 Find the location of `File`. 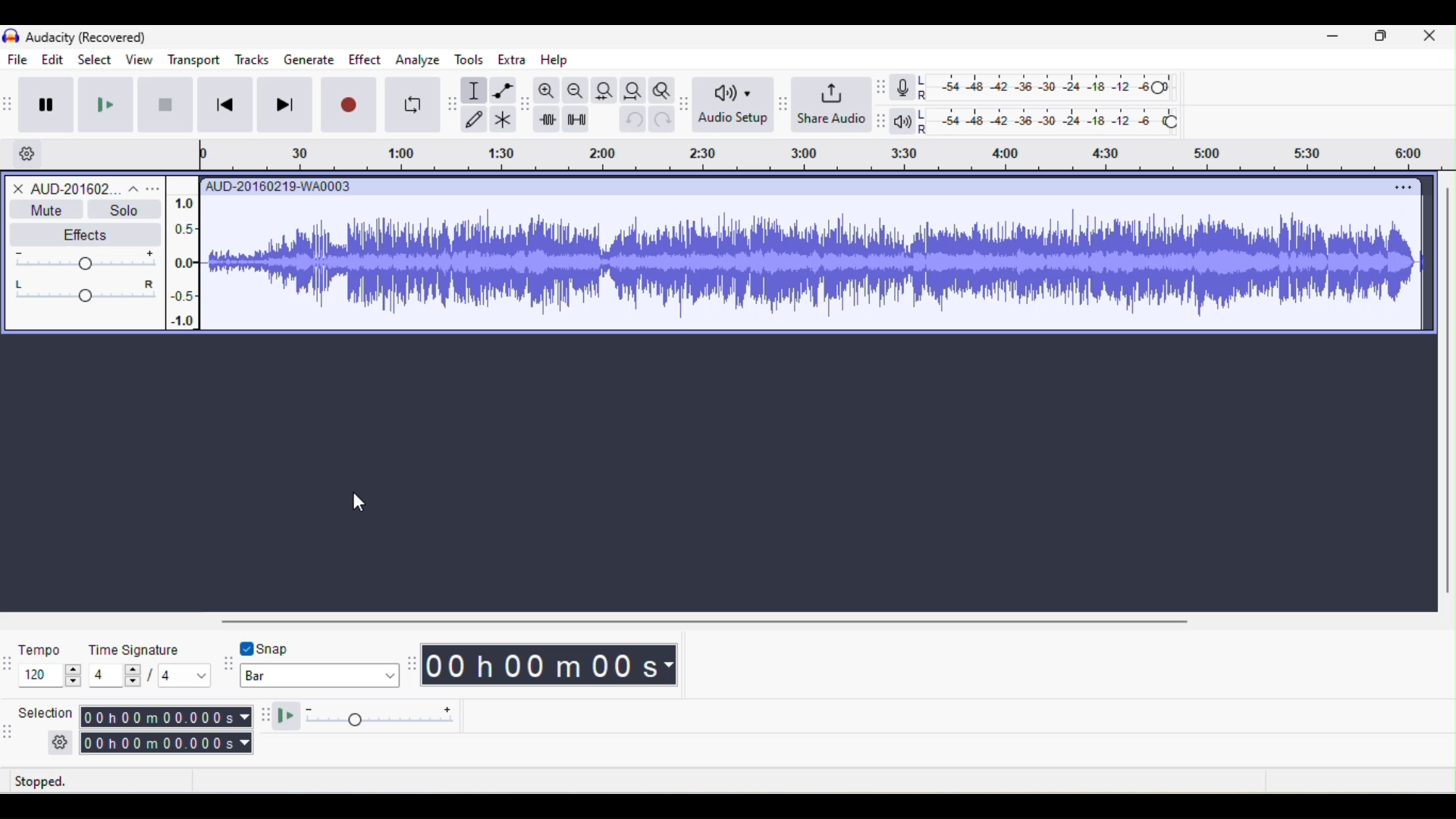

File is located at coordinates (19, 60).